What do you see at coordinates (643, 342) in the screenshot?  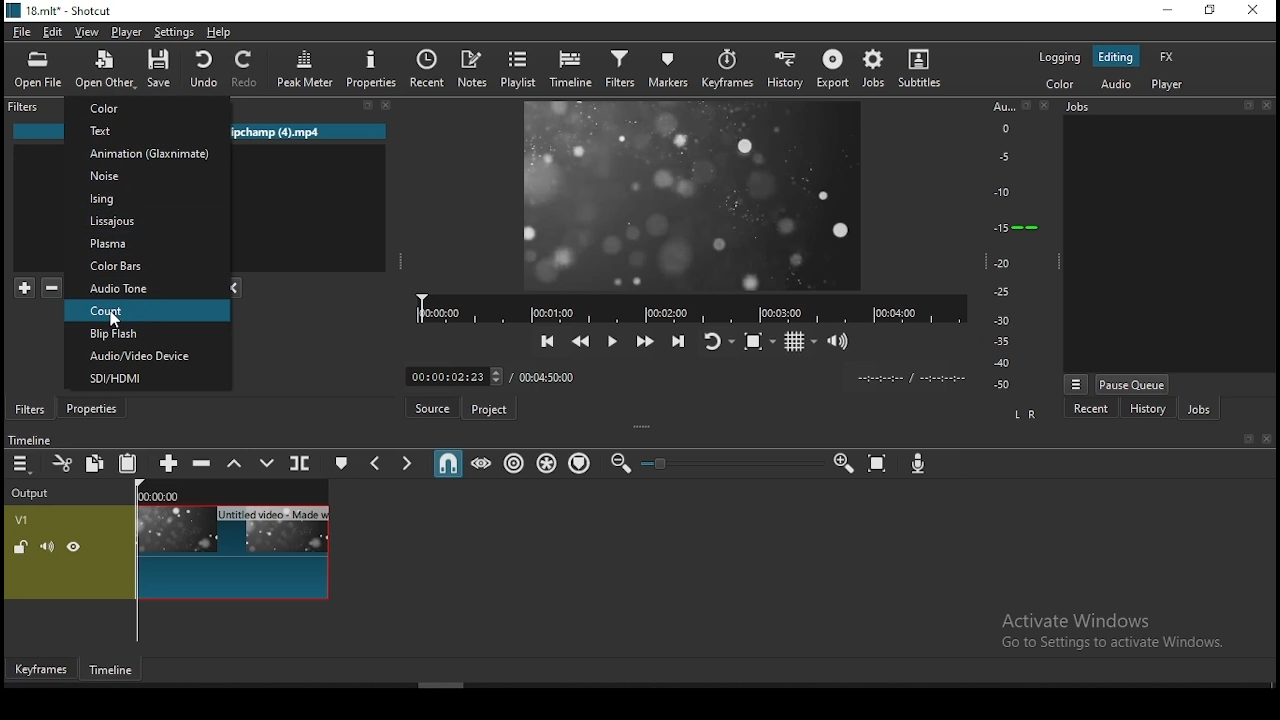 I see `` at bounding box center [643, 342].